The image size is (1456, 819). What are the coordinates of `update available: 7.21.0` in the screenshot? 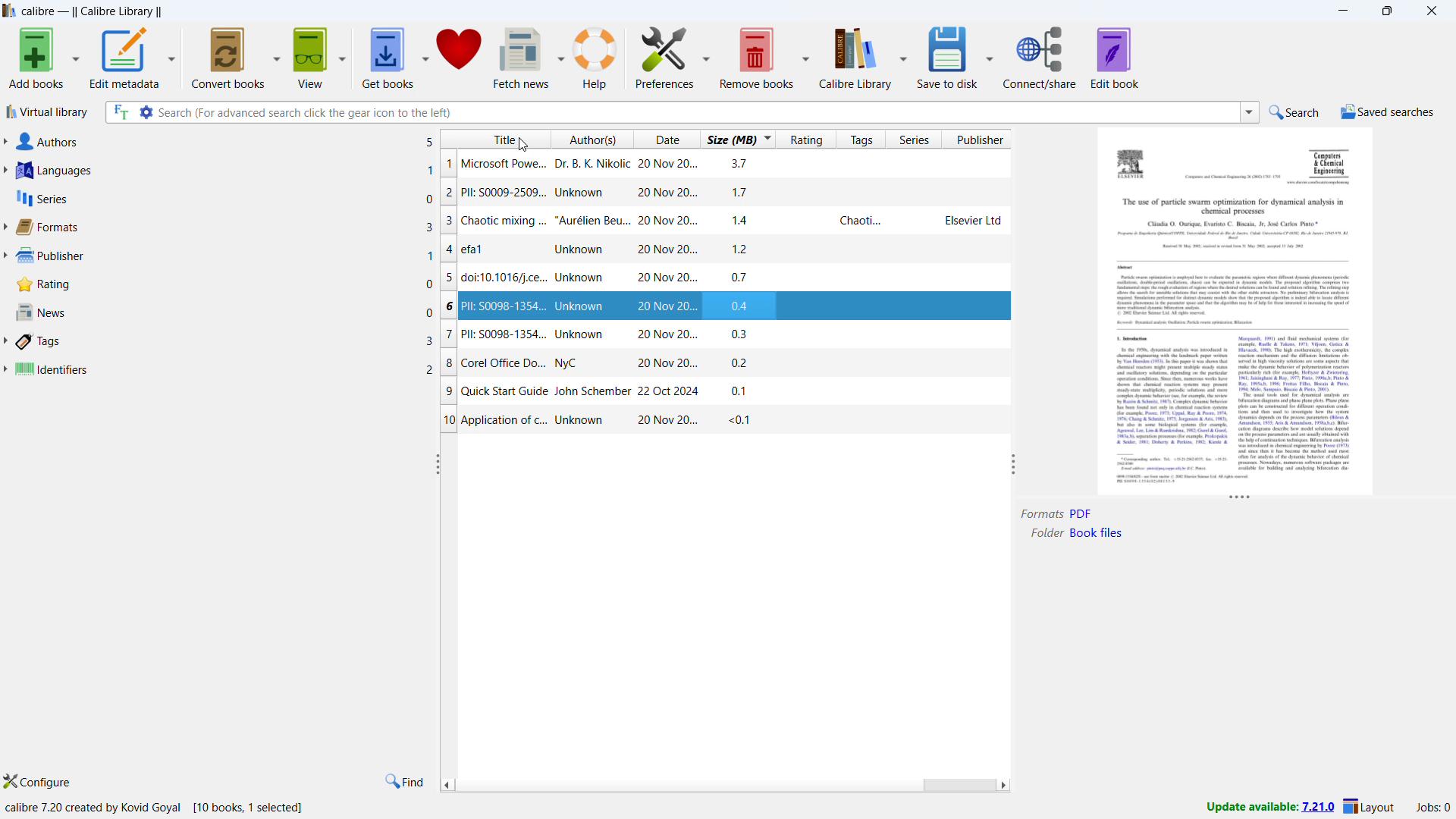 It's located at (1269, 805).